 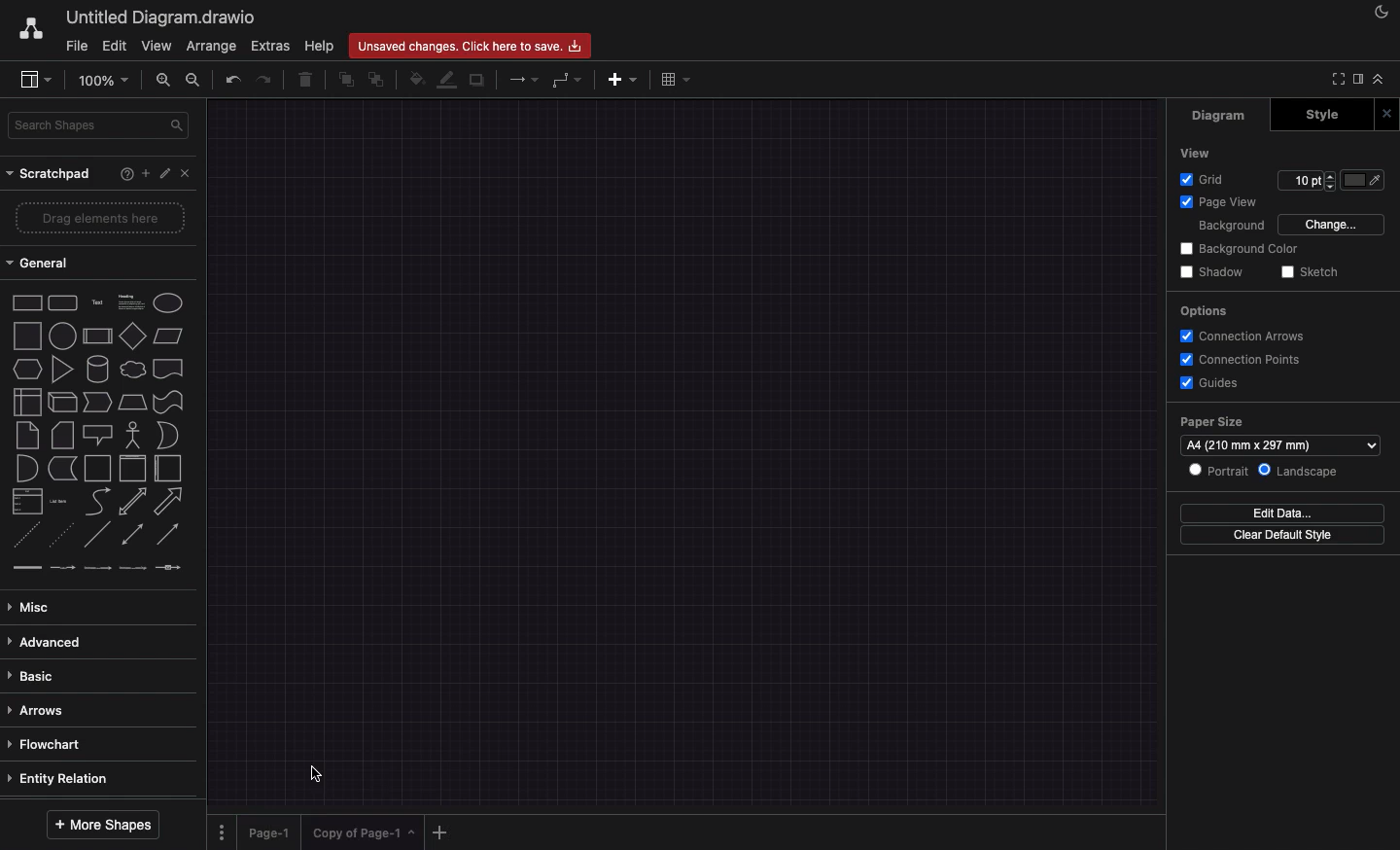 I want to click on list, so click(x=26, y=502).